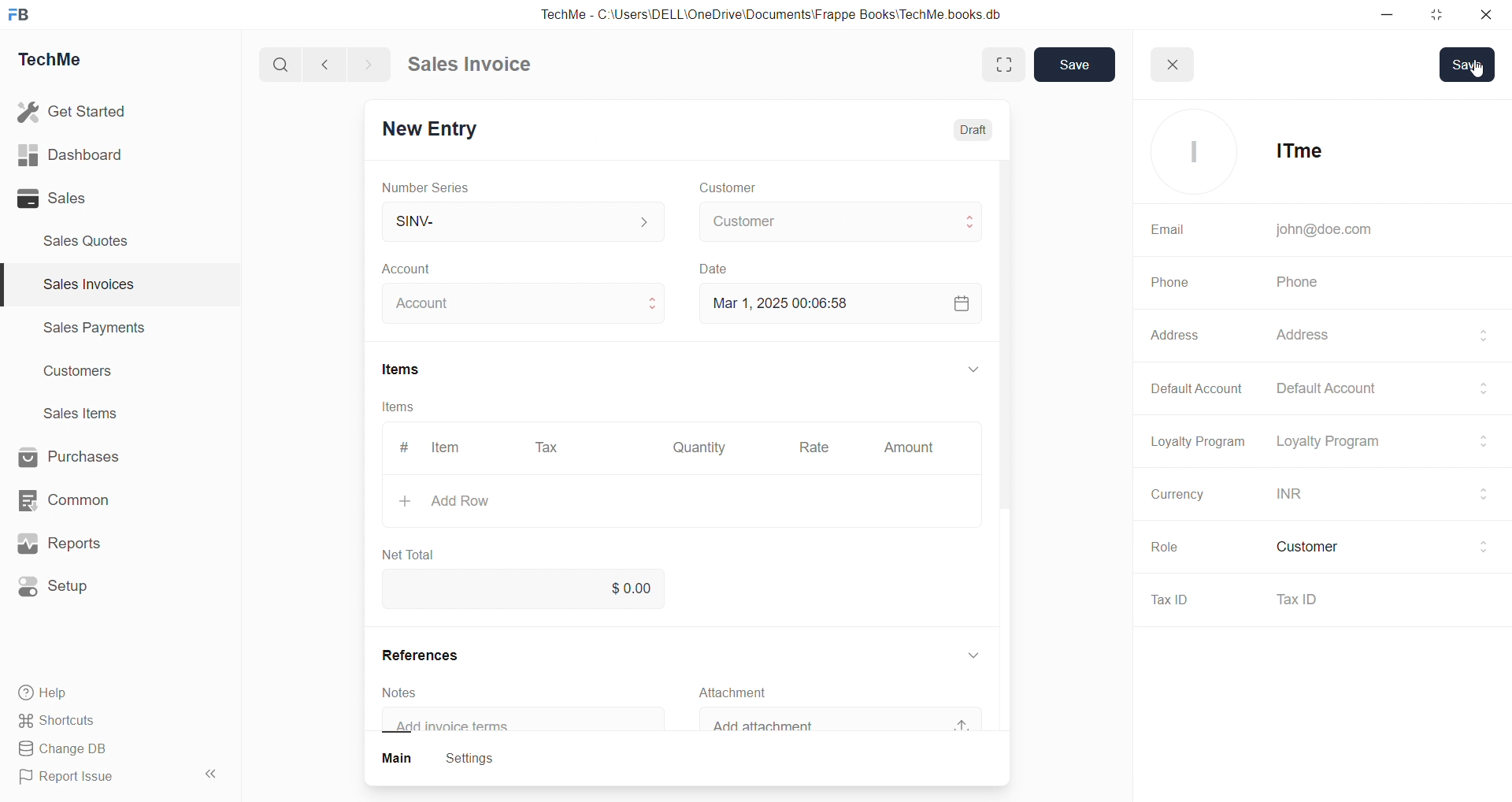  Describe the element at coordinates (418, 551) in the screenshot. I see `Net Total` at that location.